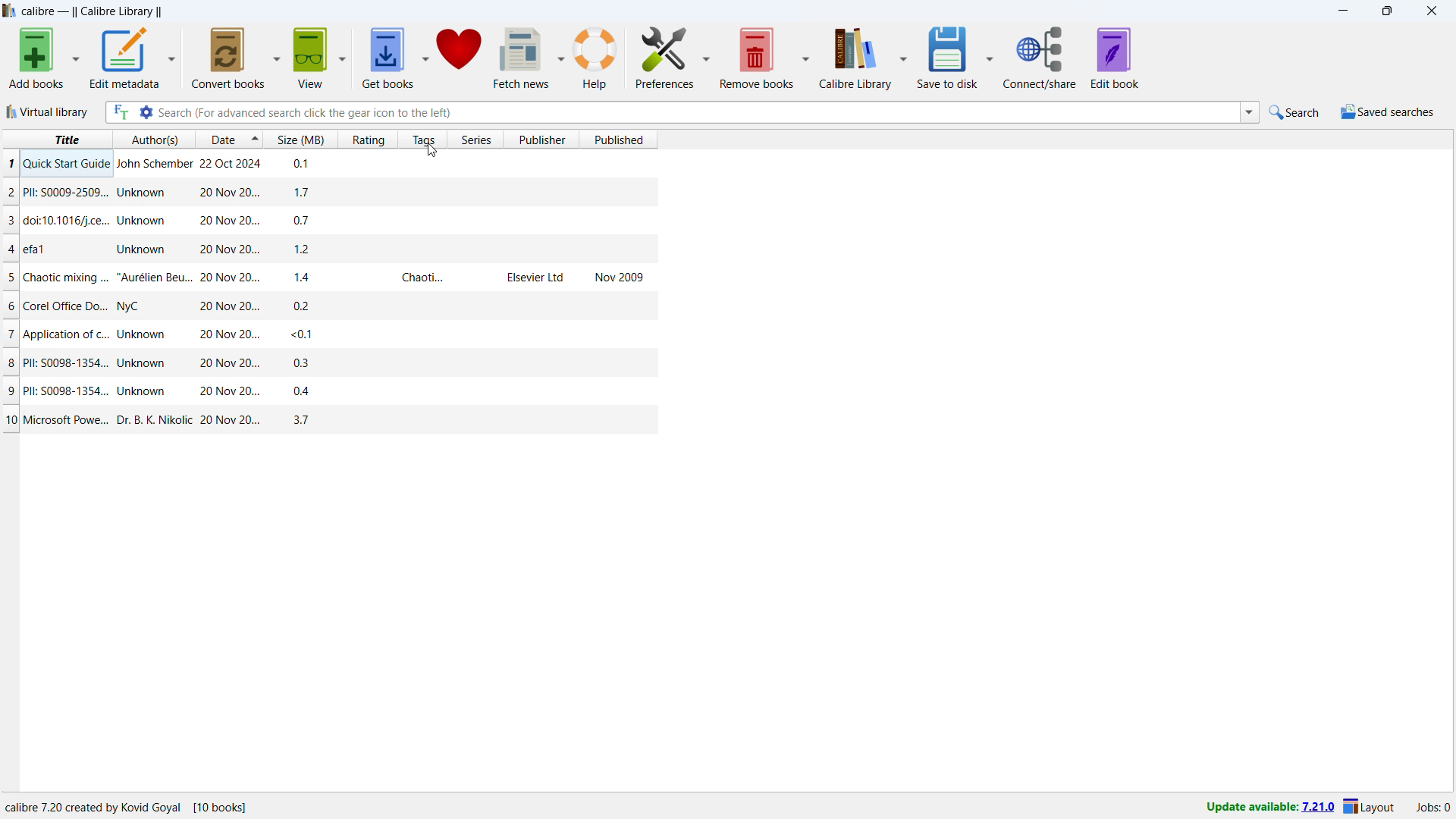 The height and width of the screenshot is (819, 1456). Describe the element at coordinates (1342, 10) in the screenshot. I see `minimize` at that location.